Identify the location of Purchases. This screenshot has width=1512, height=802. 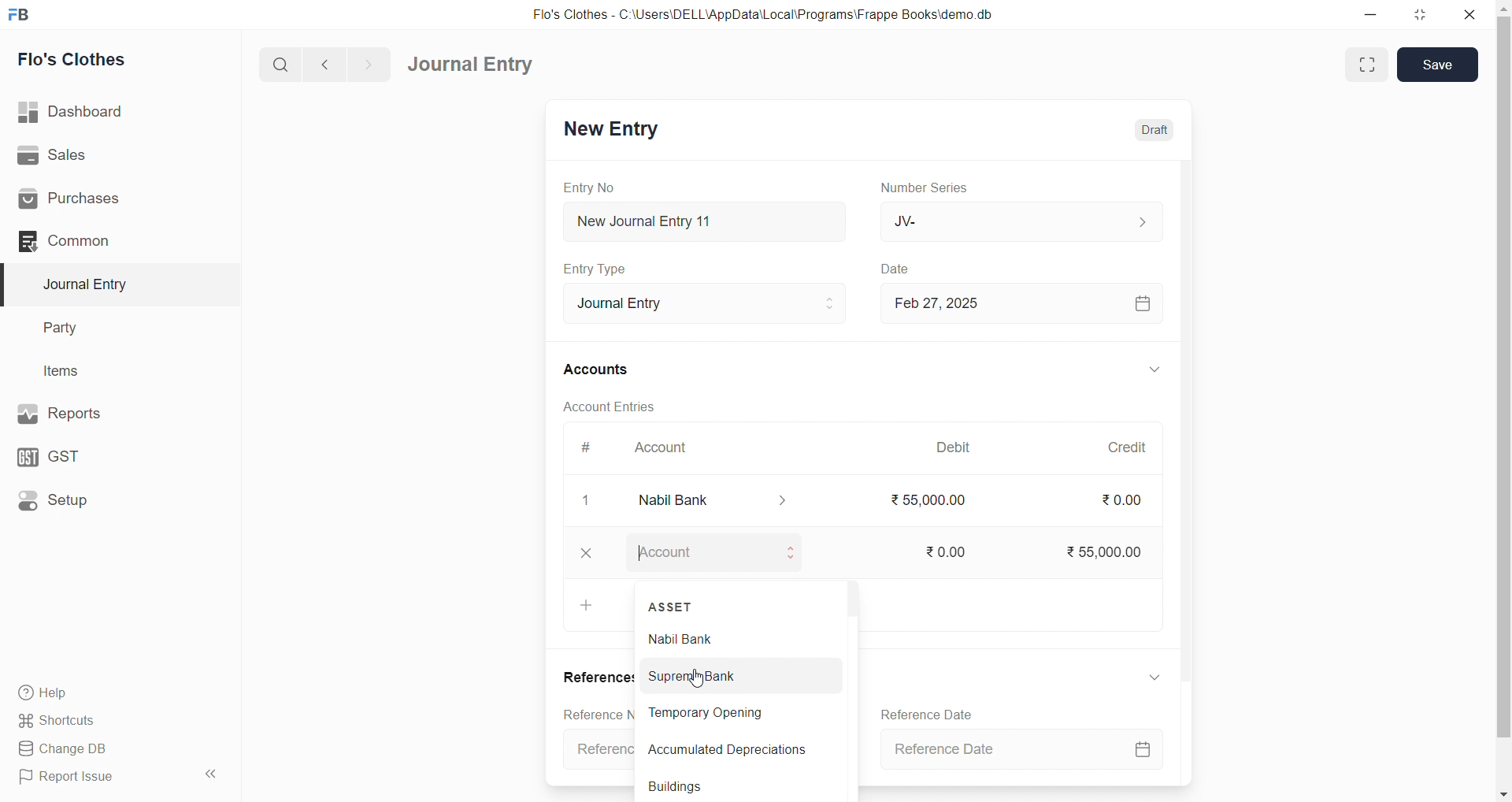
(95, 200).